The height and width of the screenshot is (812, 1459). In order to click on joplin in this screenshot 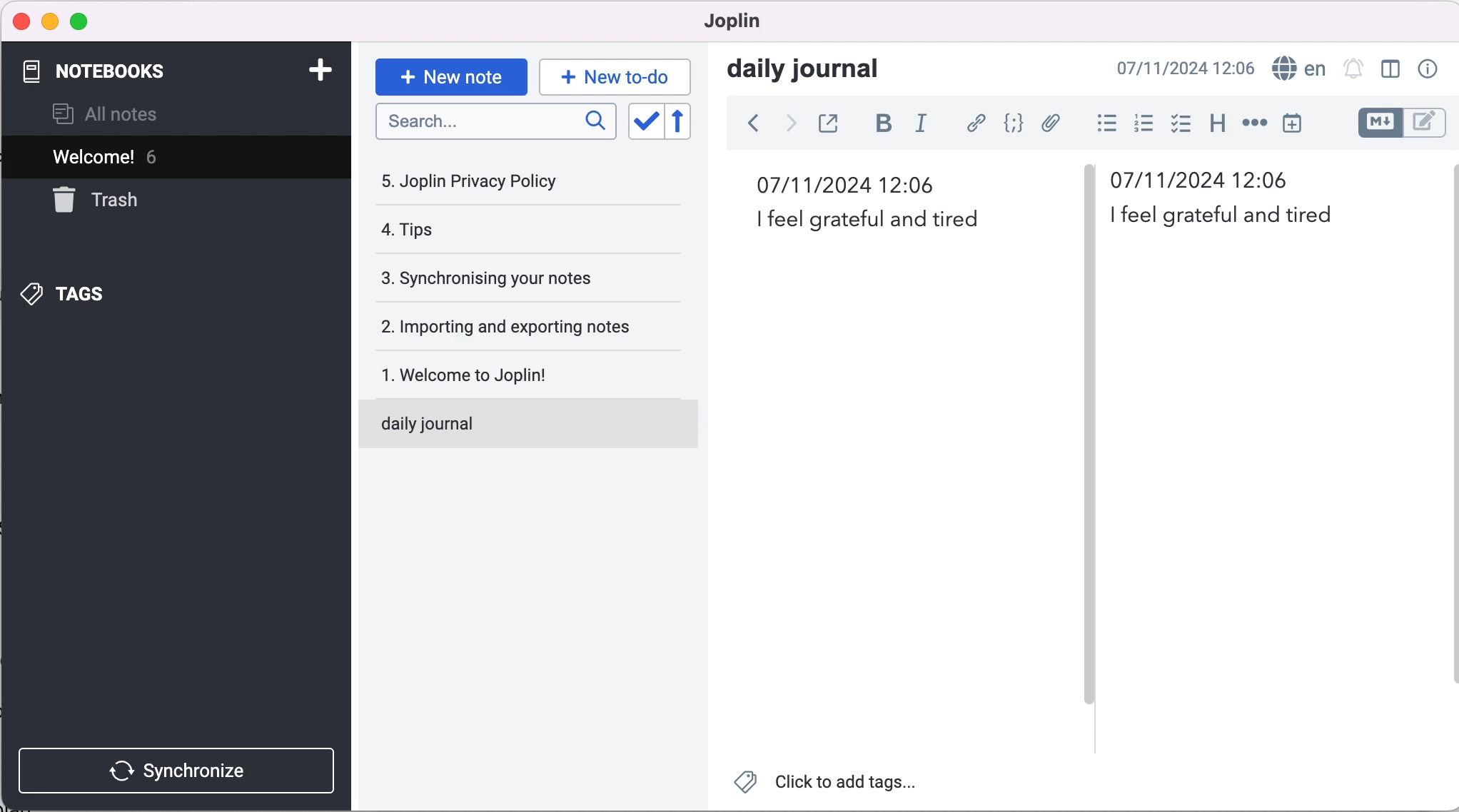, I will do `click(754, 23)`.